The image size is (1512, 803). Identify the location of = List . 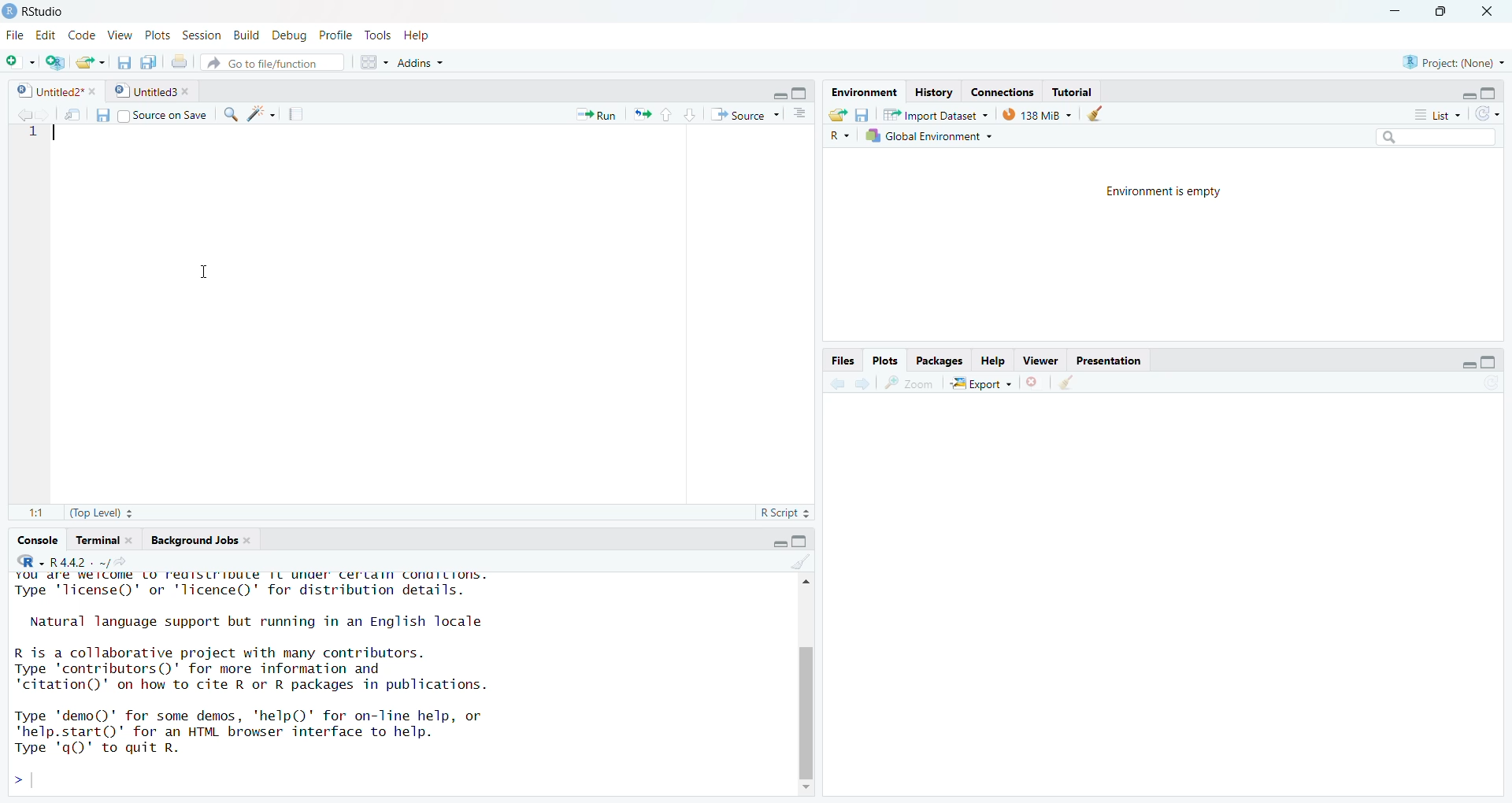
(1429, 113).